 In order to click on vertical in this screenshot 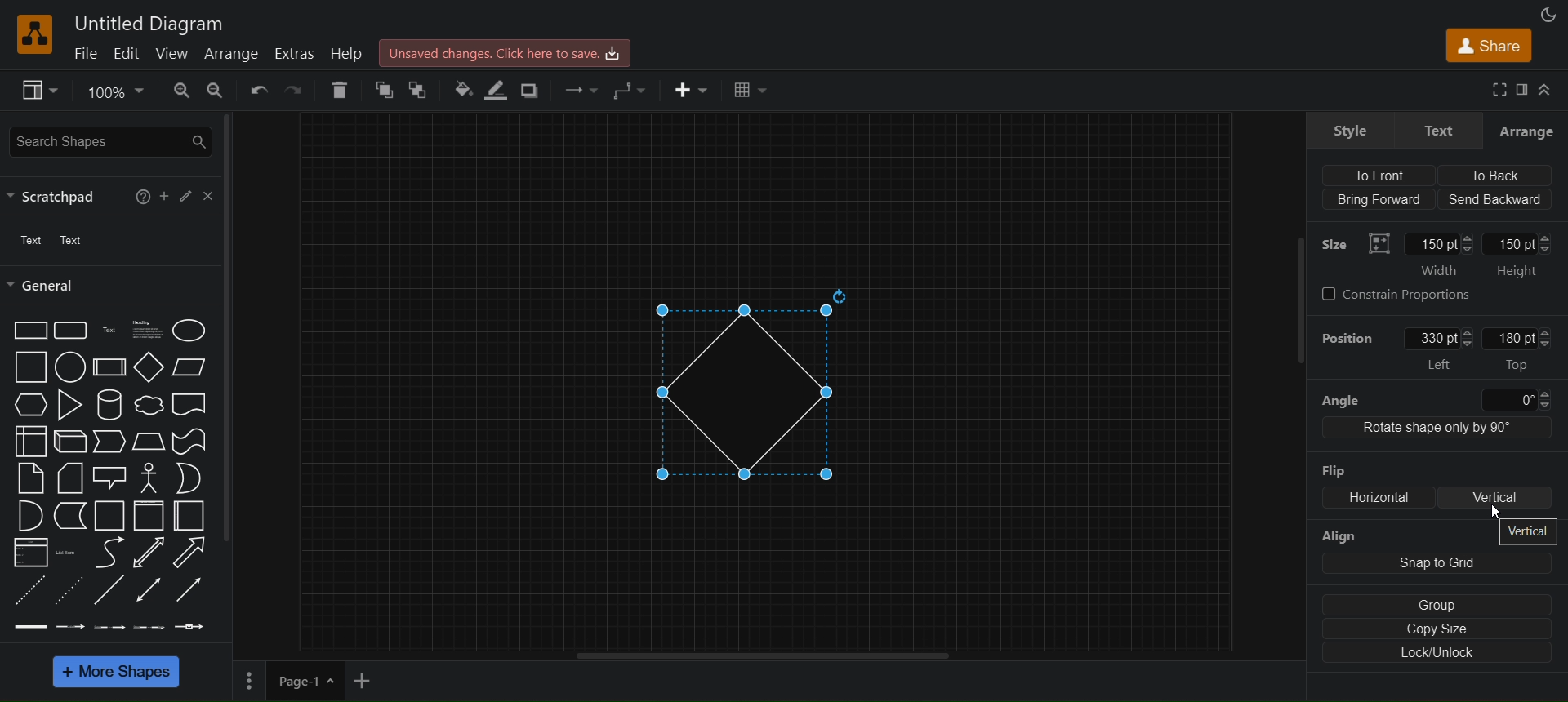, I will do `click(1532, 532)`.